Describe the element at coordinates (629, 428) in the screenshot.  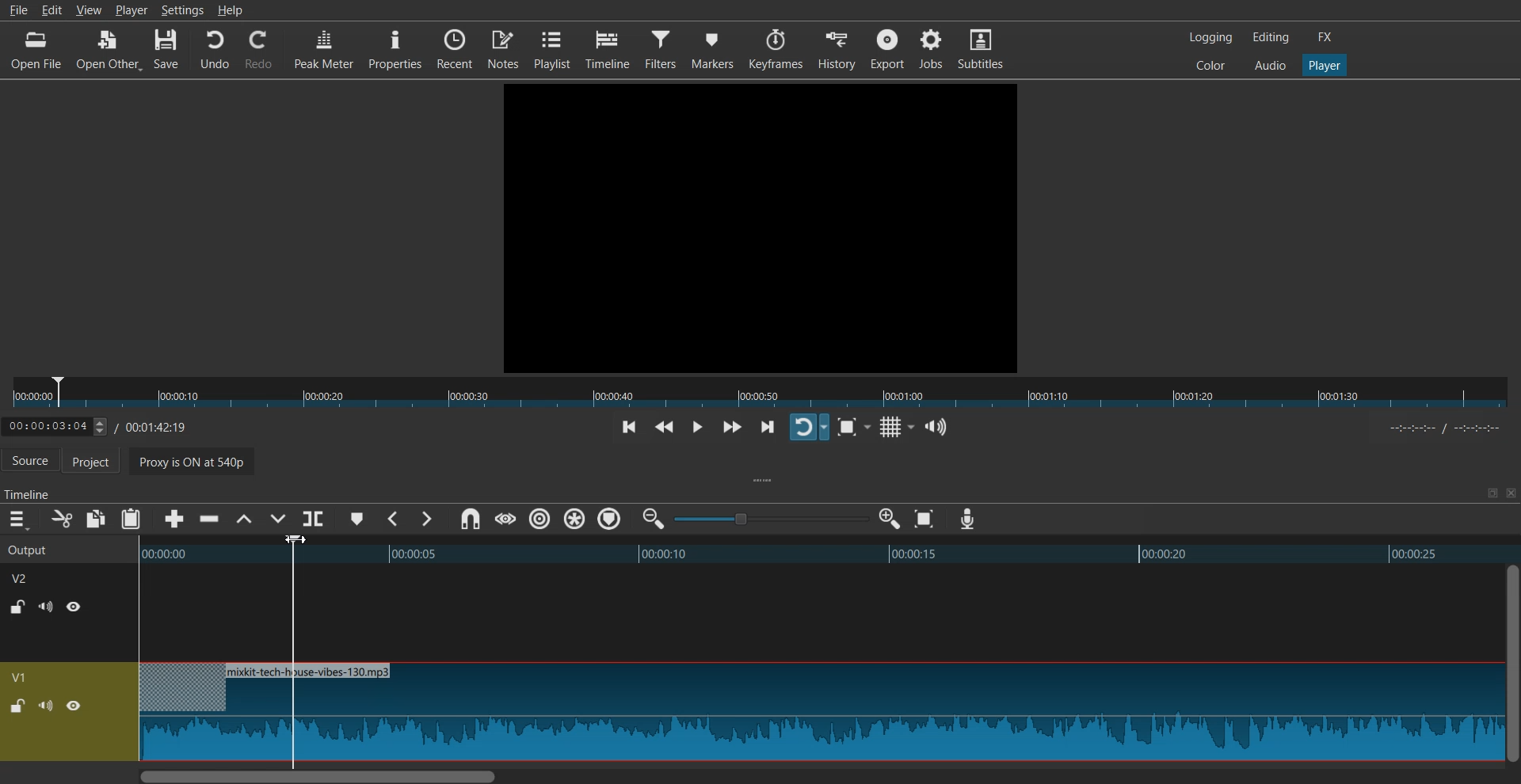
I see `Skip to previous point` at that location.